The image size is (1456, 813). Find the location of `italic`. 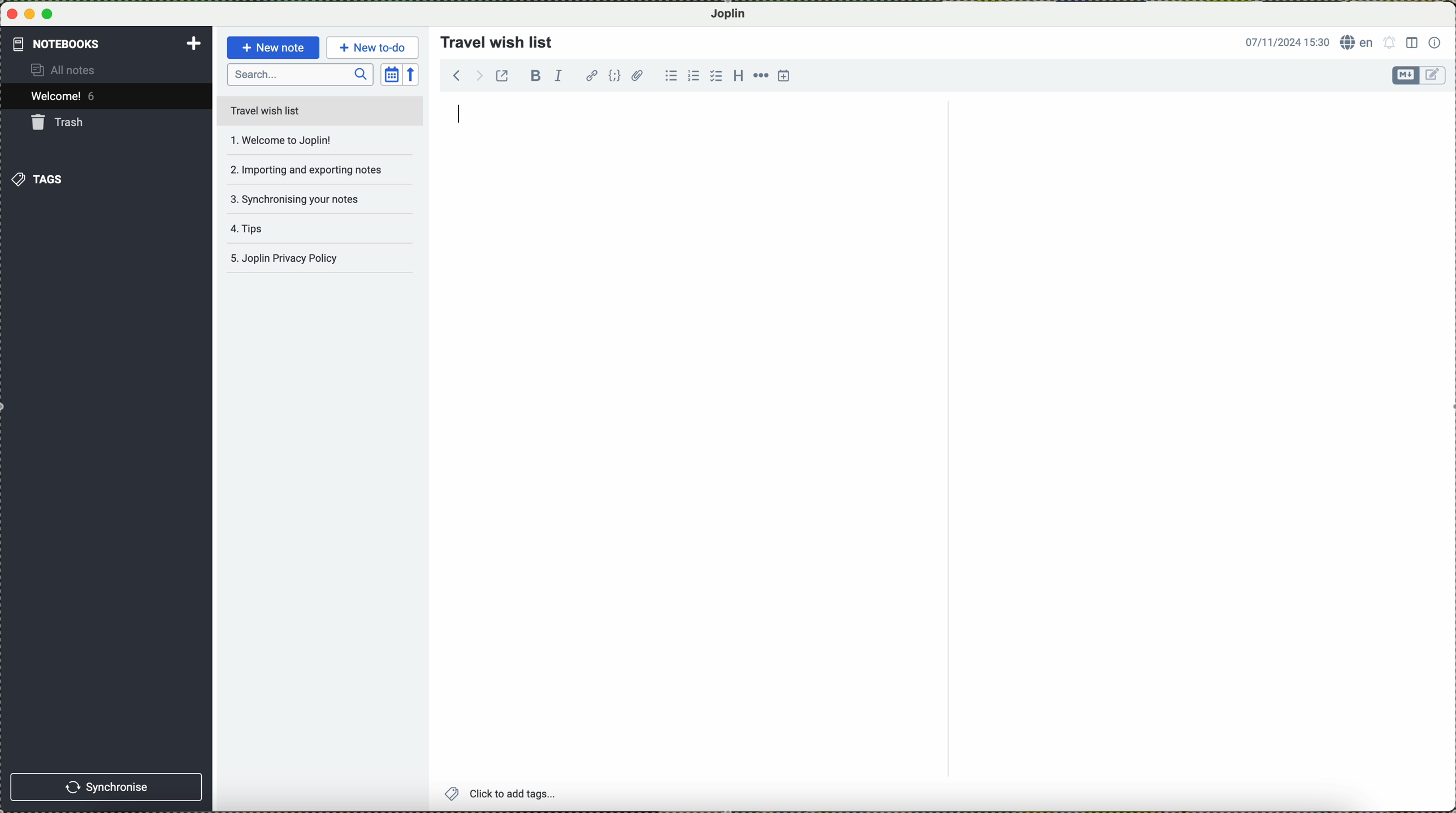

italic is located at coordinates (562, 77).